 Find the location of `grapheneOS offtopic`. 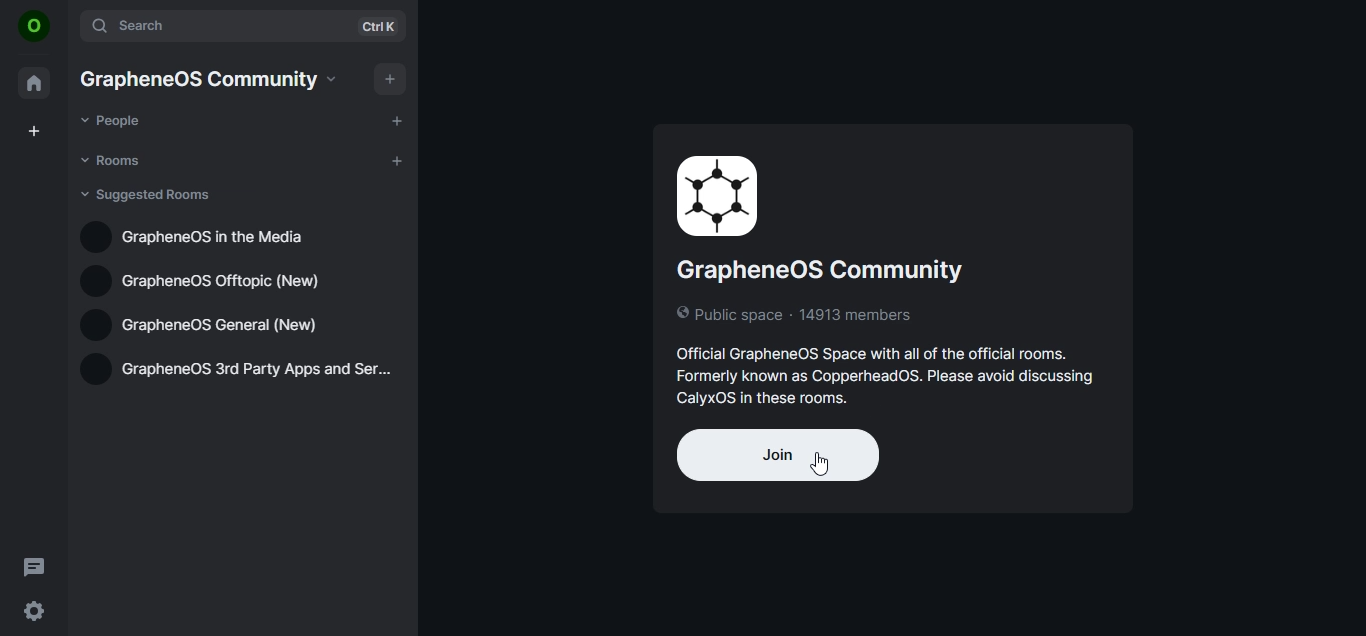

grapheneOS offtopic is located at coordinates (213, 280).